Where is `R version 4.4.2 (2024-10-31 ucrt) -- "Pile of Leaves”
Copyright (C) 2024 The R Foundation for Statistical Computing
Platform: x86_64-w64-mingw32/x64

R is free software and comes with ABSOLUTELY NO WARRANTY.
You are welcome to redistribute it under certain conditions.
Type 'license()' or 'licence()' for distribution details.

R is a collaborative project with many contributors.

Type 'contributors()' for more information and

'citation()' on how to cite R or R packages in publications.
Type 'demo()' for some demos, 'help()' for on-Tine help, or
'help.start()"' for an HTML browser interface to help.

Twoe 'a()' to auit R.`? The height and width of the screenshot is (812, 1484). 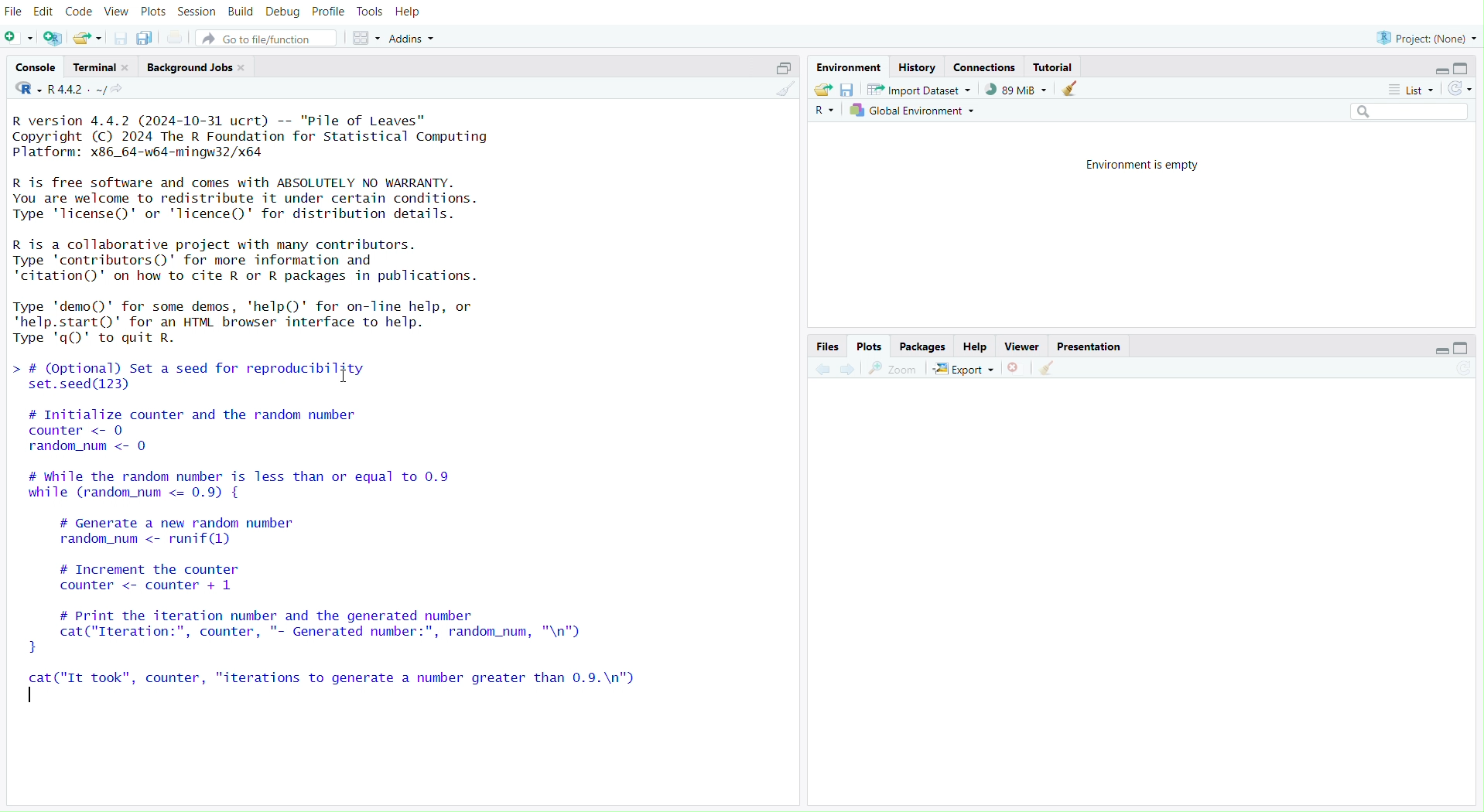 R version 4.4.2 (2024-10-31 ucrt) -- "Pile of Leaves”
Copyright (C) 2024 The R Foundation for Statistical Computing
Platform: x86_64-w64-mingw32/x64

R is free software and comes with ABSOLUTELY NO WARRANTY.
You are welcome to redistribute it under certain conditions.
Type 'license()' or 'licence()' for distribution details.

R is a collaborative project with many contributors.

Type 'contributors()' for more information and

'citation()' on how to cite R or R packages in publications.
Type 'demo()' for some demos, 'help()' for on-Tine help, or
'help.start()"' for an HTML browser interface to help.

Twoe 'a()' to auit R. is located at coordinates (264, 223).